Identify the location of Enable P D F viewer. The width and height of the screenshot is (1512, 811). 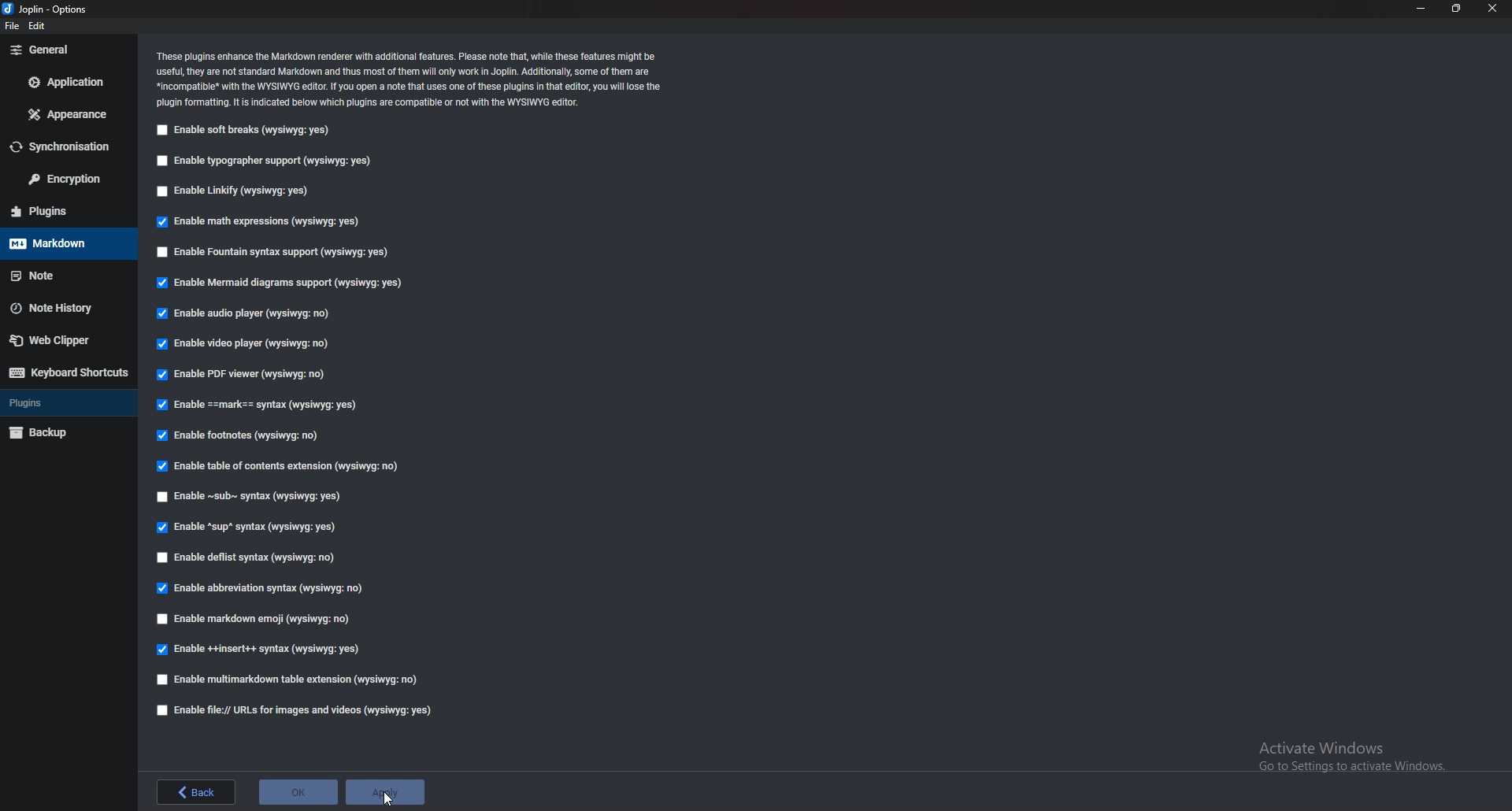
(243, 375).